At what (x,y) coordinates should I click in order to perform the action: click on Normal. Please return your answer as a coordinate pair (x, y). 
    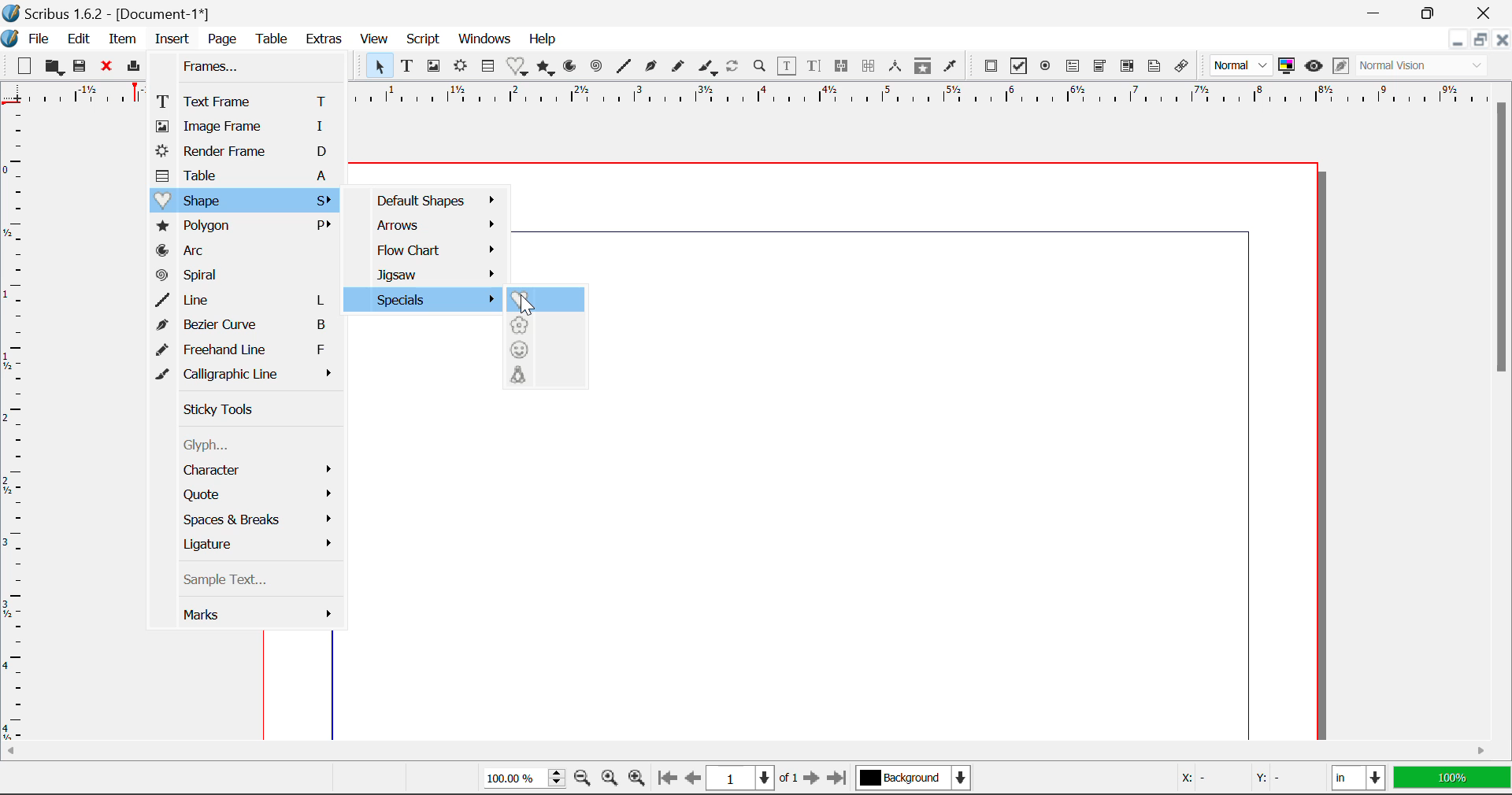
    Looking at the image, I should click on (1243, 65).